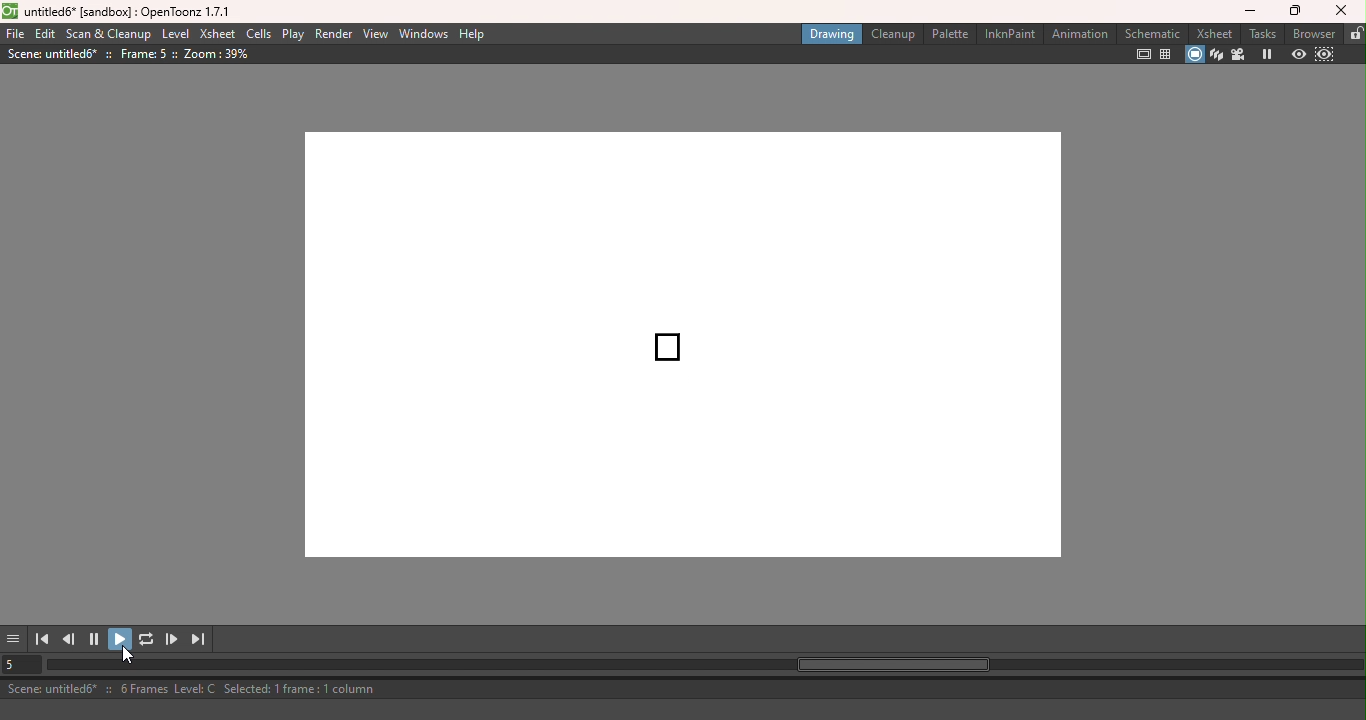  Describe the element at coordinates (1155, 34) in the screenshot. I see `Schematic` at that location.